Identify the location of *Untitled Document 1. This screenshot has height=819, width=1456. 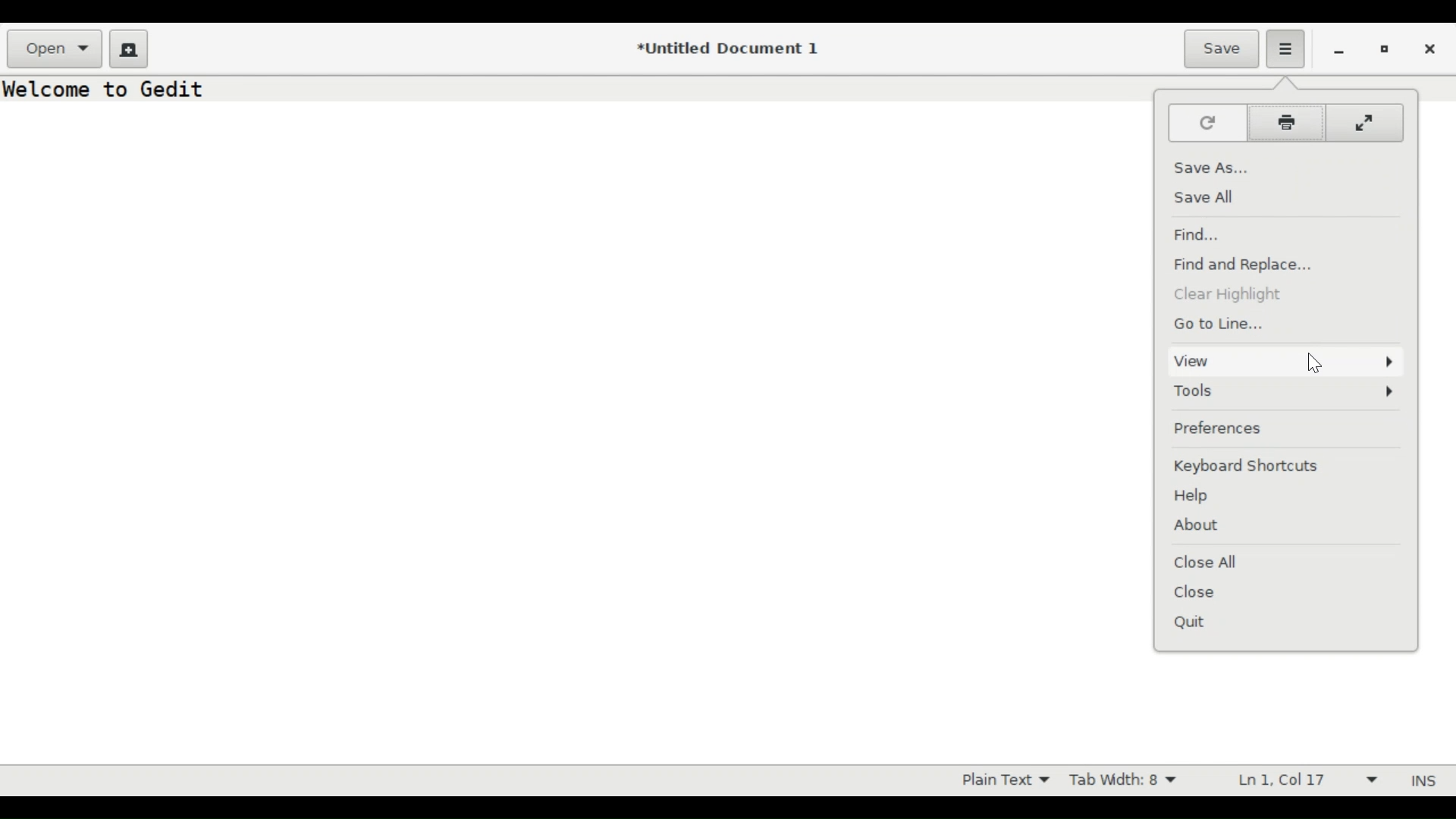
(730, 50).